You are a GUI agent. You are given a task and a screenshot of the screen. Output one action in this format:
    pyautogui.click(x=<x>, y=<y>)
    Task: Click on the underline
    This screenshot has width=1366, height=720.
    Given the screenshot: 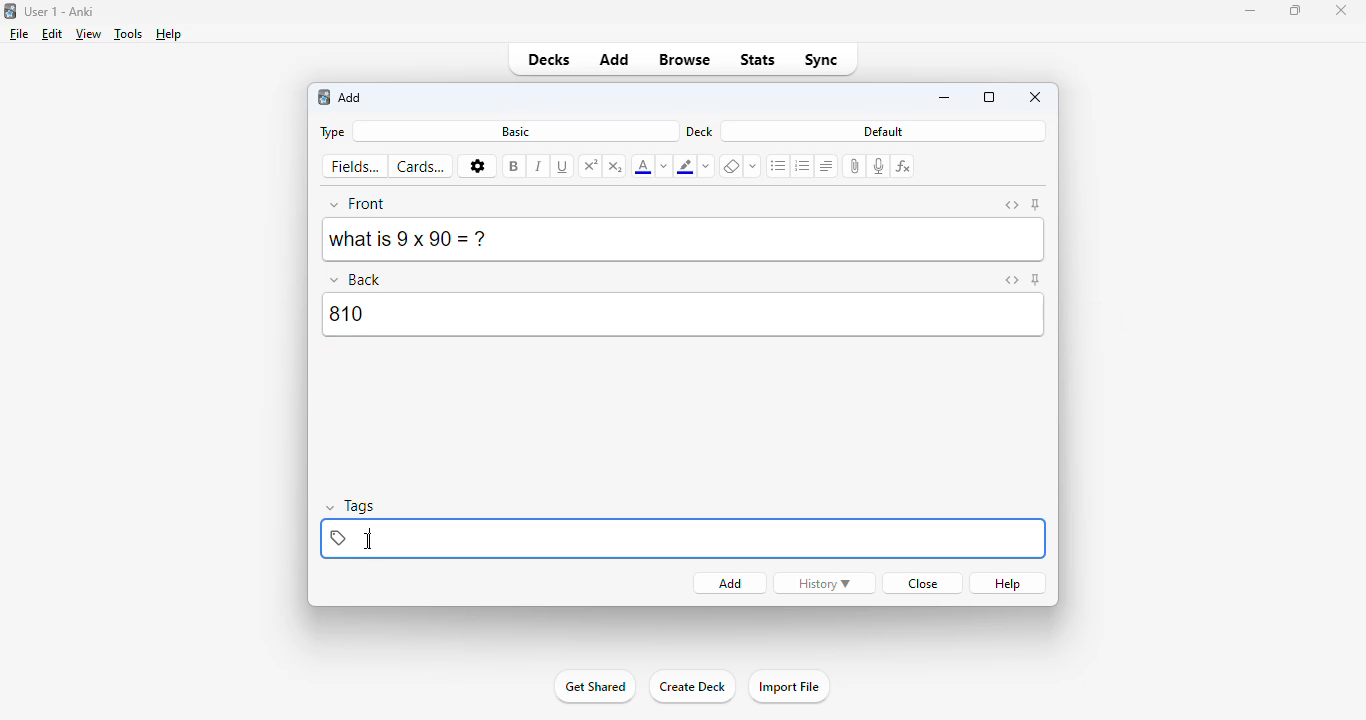 What is the action you would take?
    pyautogui.click(x=563, y=167)
    